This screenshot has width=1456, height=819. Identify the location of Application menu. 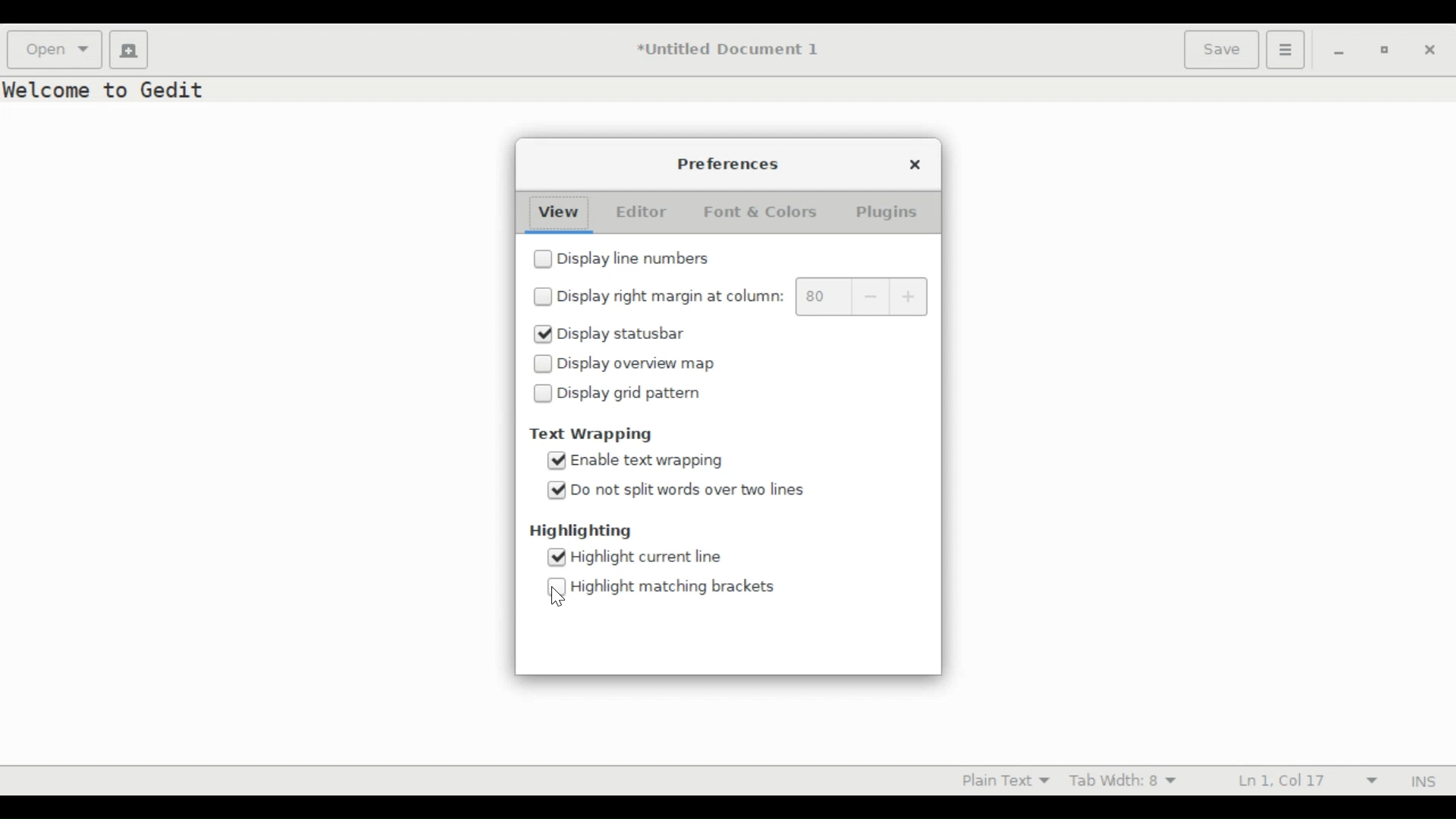
(1286, 50).